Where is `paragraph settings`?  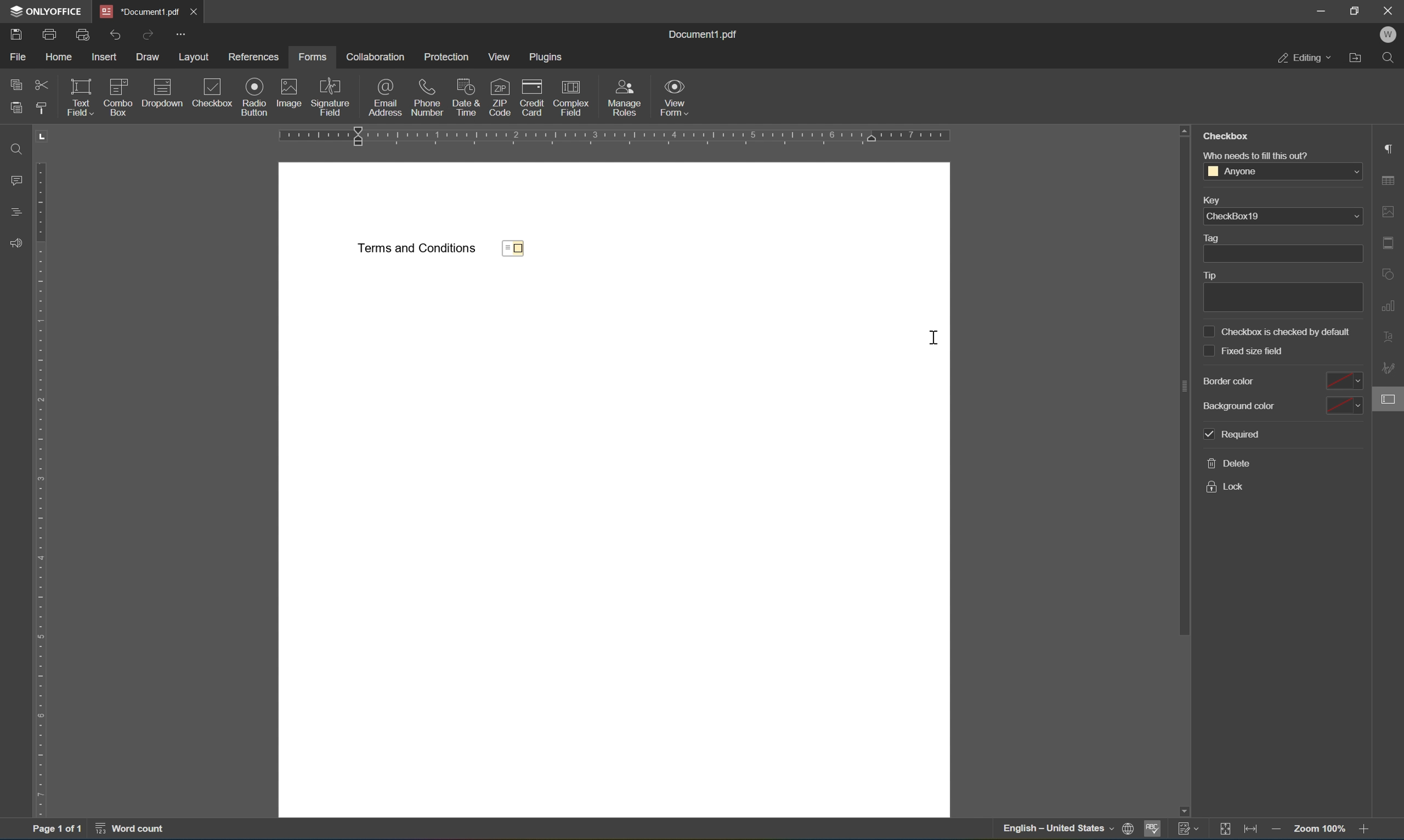
paragraph settings is located at coordinates (1392, 147).